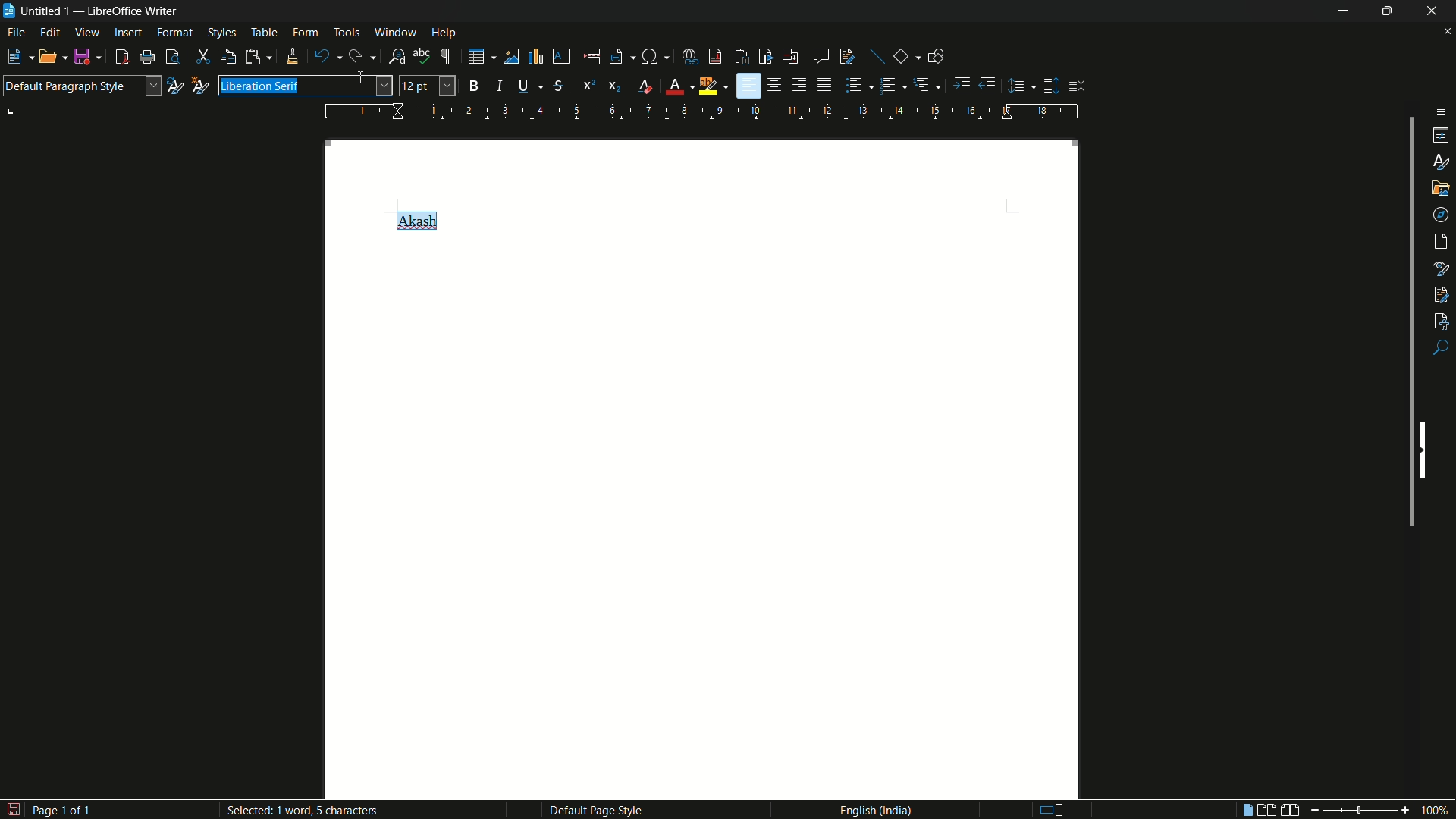 The height and width of the screenshot is (819, 1456). What do you see at coordinates (560, 56) in the screenshot?
I see `insert text box` at bounding box center [560, 56].